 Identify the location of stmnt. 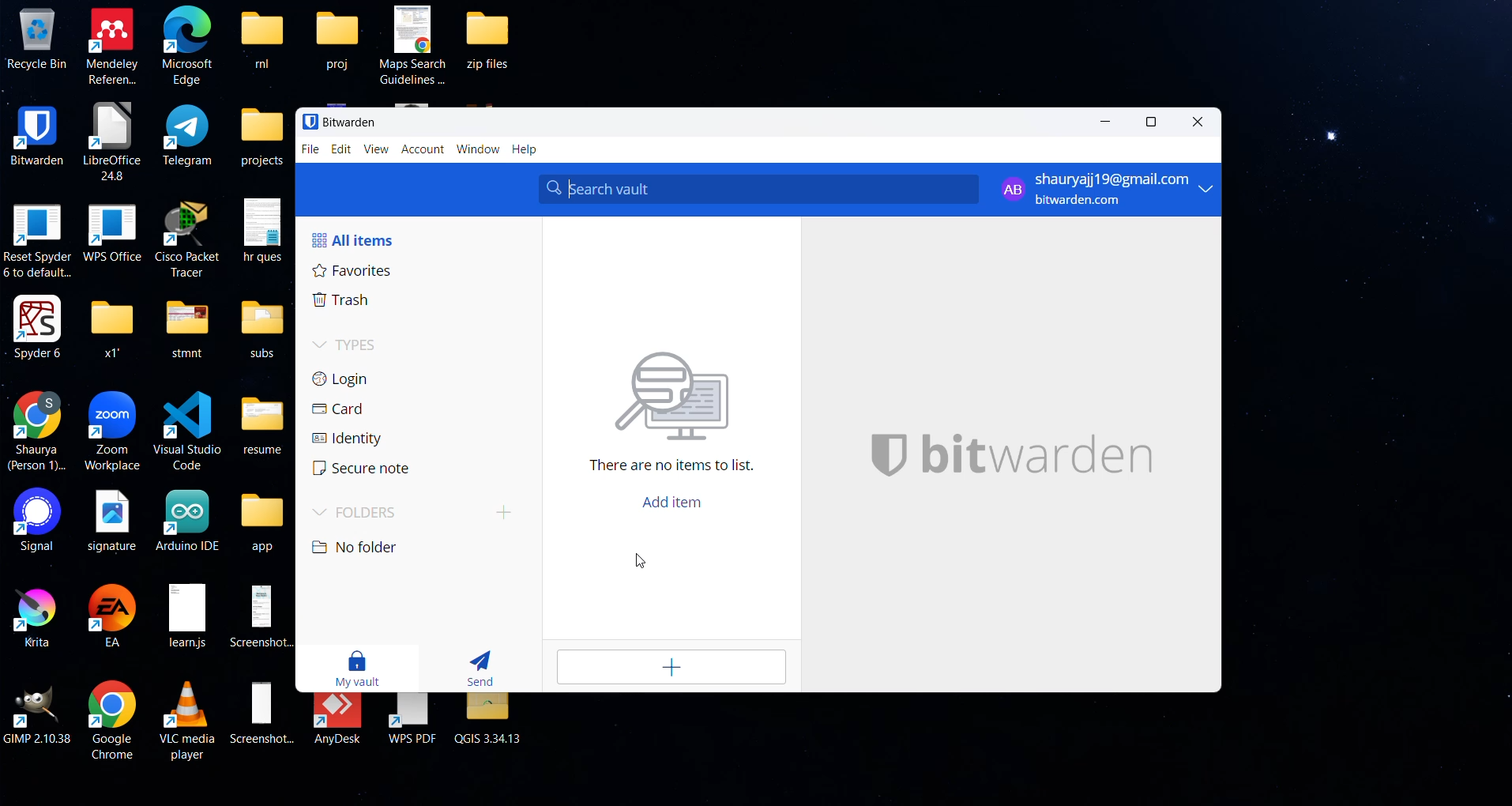
(186, 326).